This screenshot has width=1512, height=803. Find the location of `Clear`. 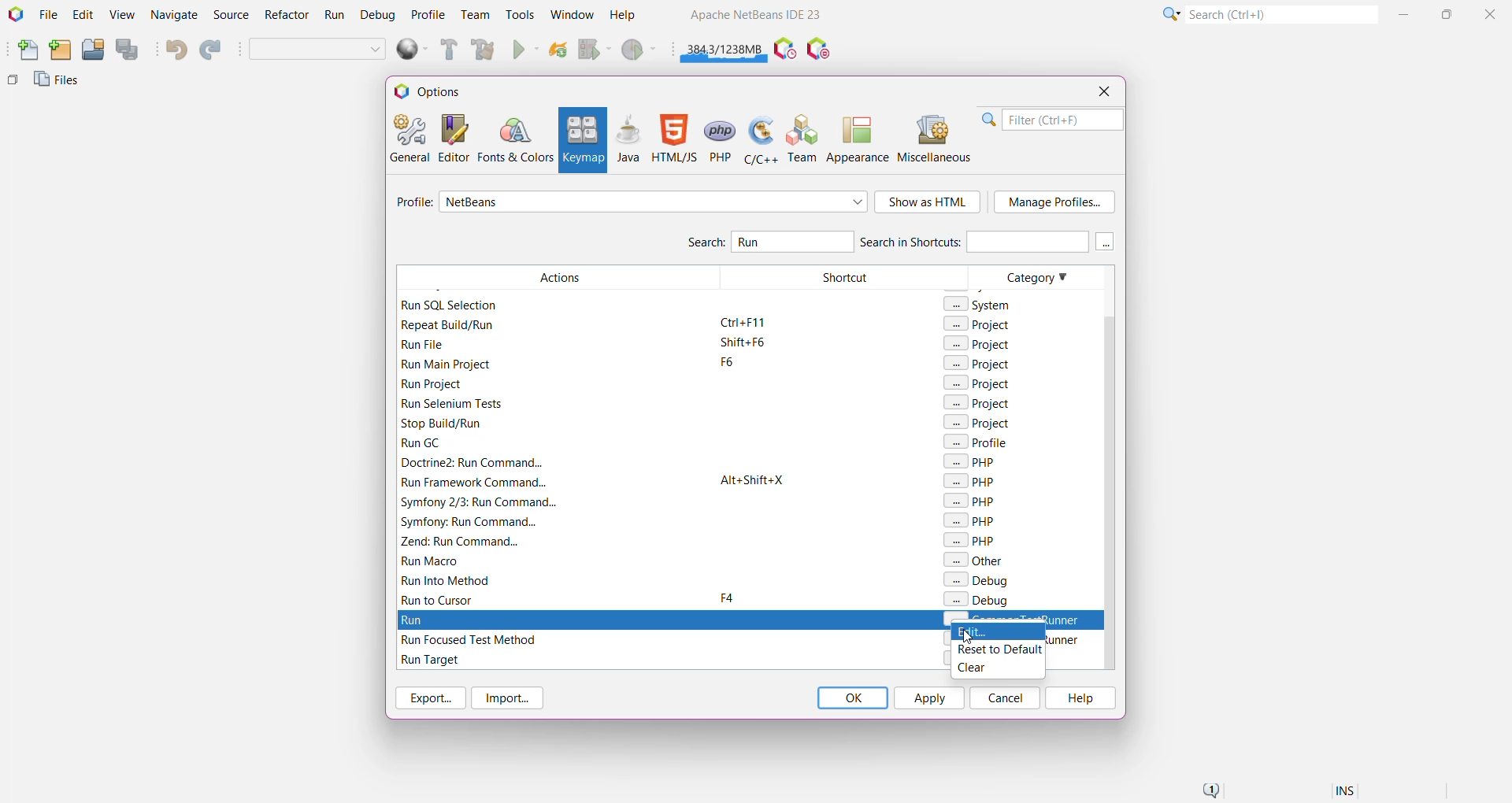

Clear is located at coordinates (997, 668).